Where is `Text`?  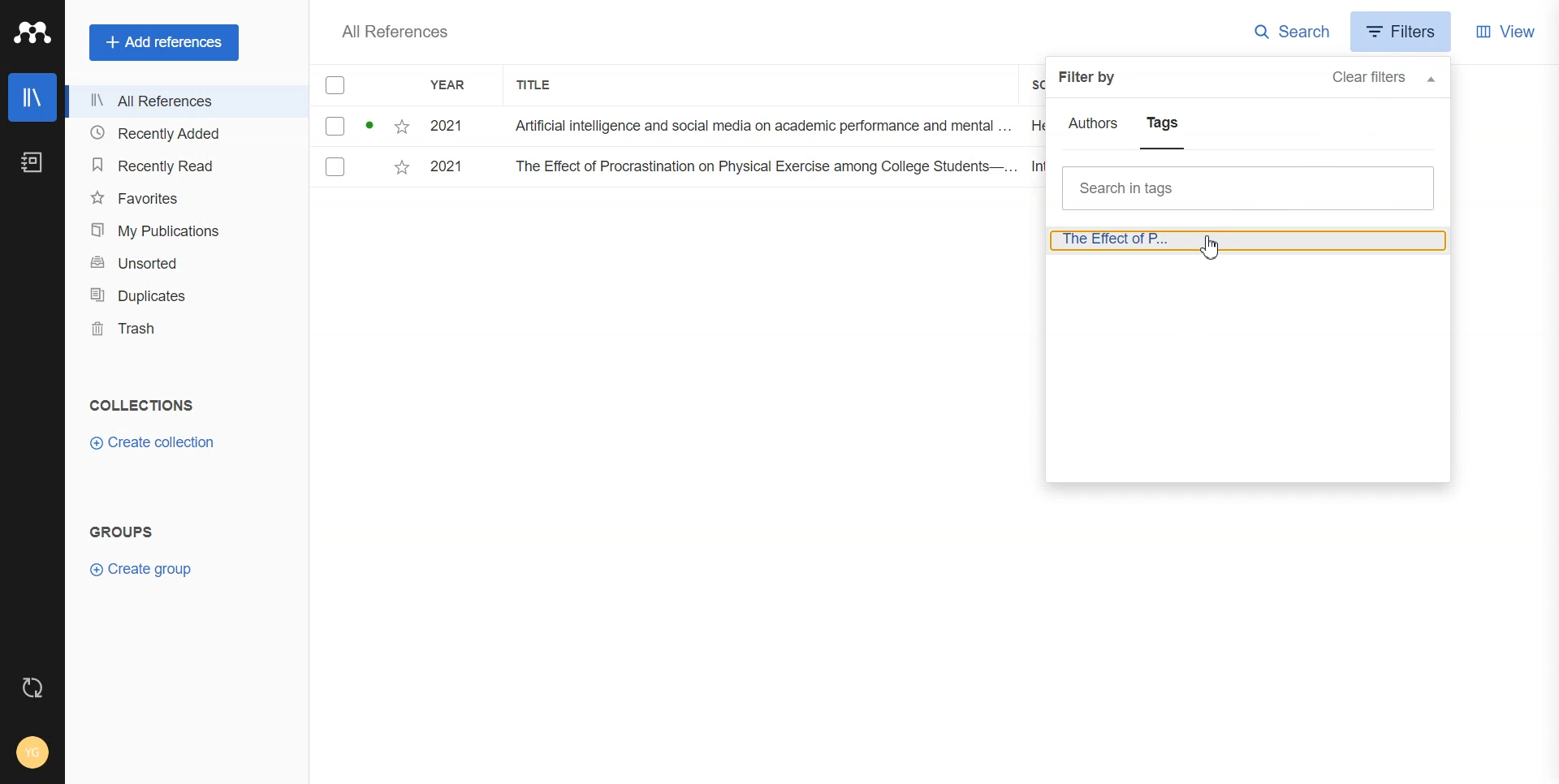 Text is located at coordinates (145, 405).